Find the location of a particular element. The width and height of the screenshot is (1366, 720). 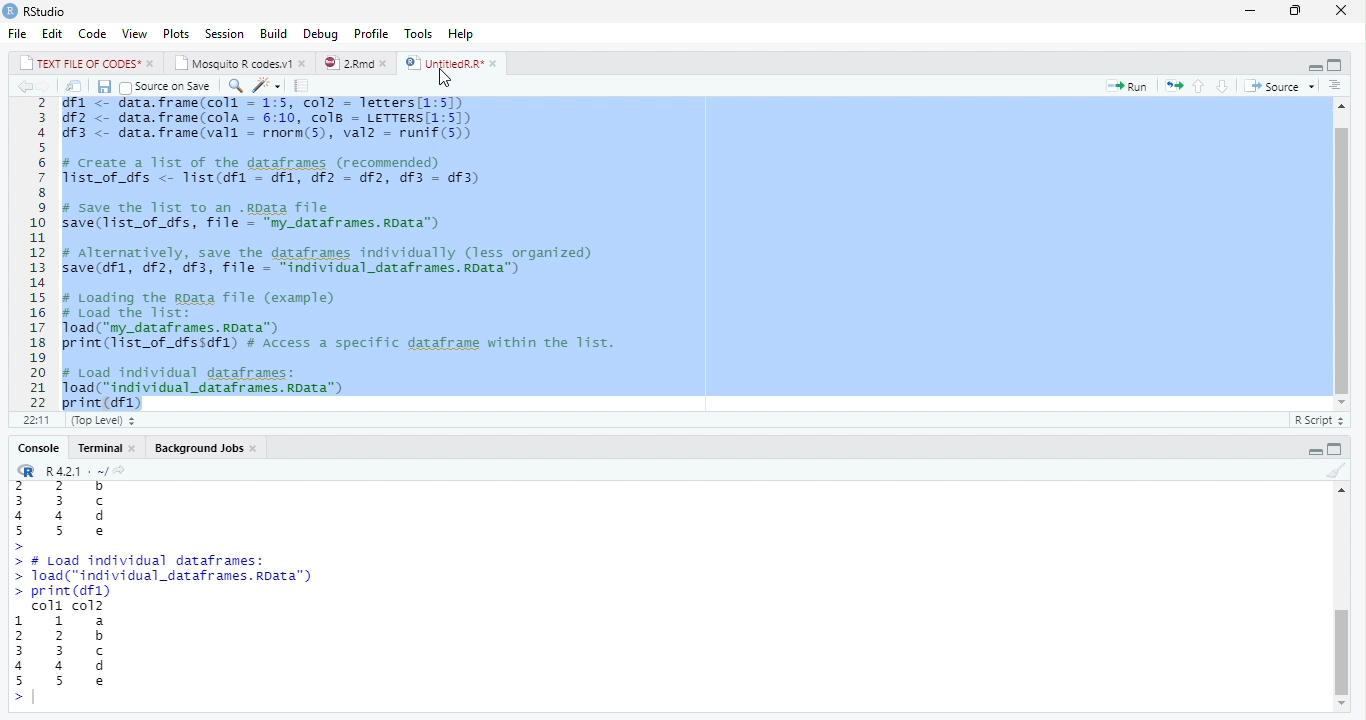

Go to previous location is located at coordinates (22, 86).